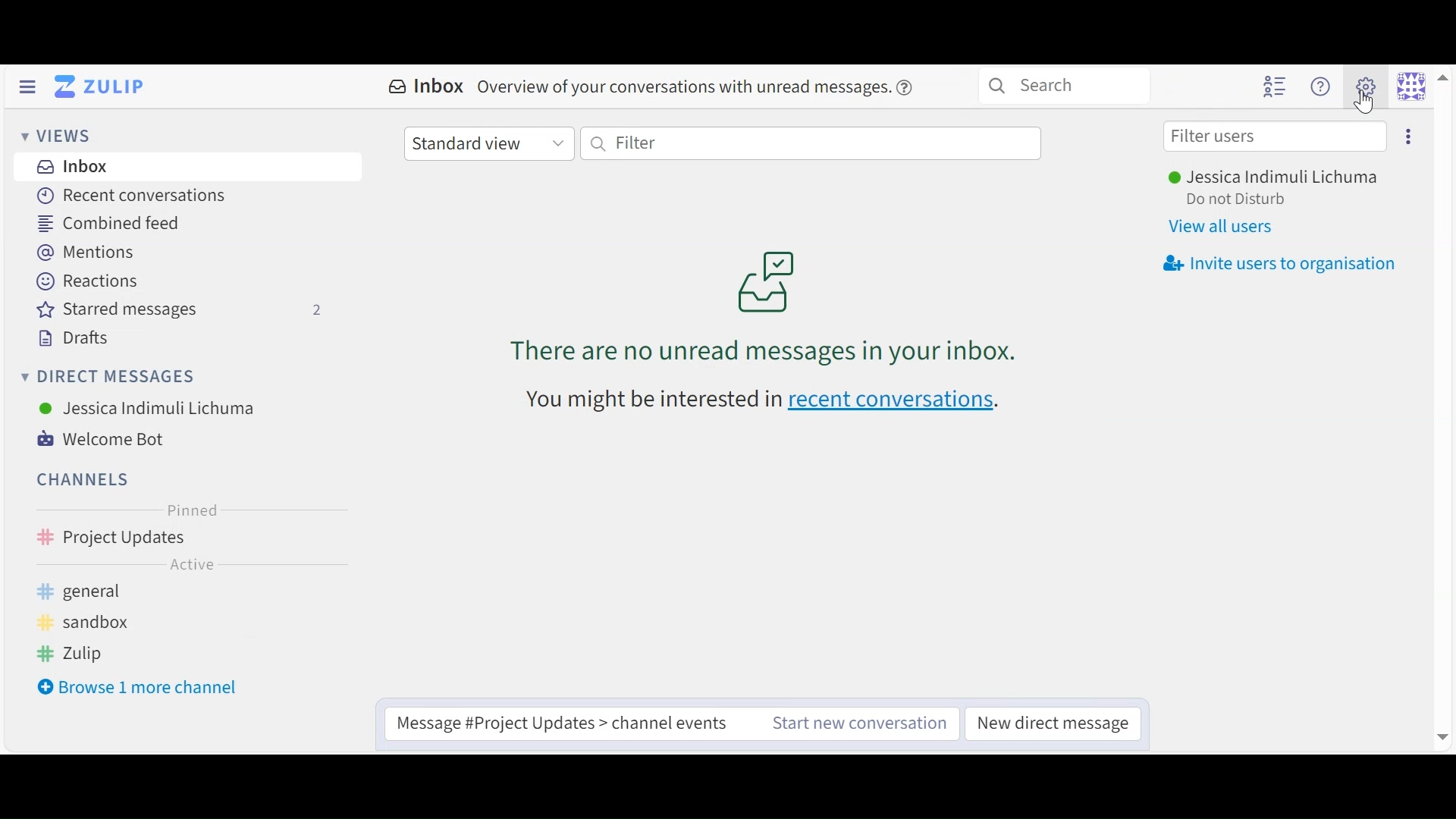 This screenshot has height=819, width=1456. I want to click on sandbox, so click(94, 623).